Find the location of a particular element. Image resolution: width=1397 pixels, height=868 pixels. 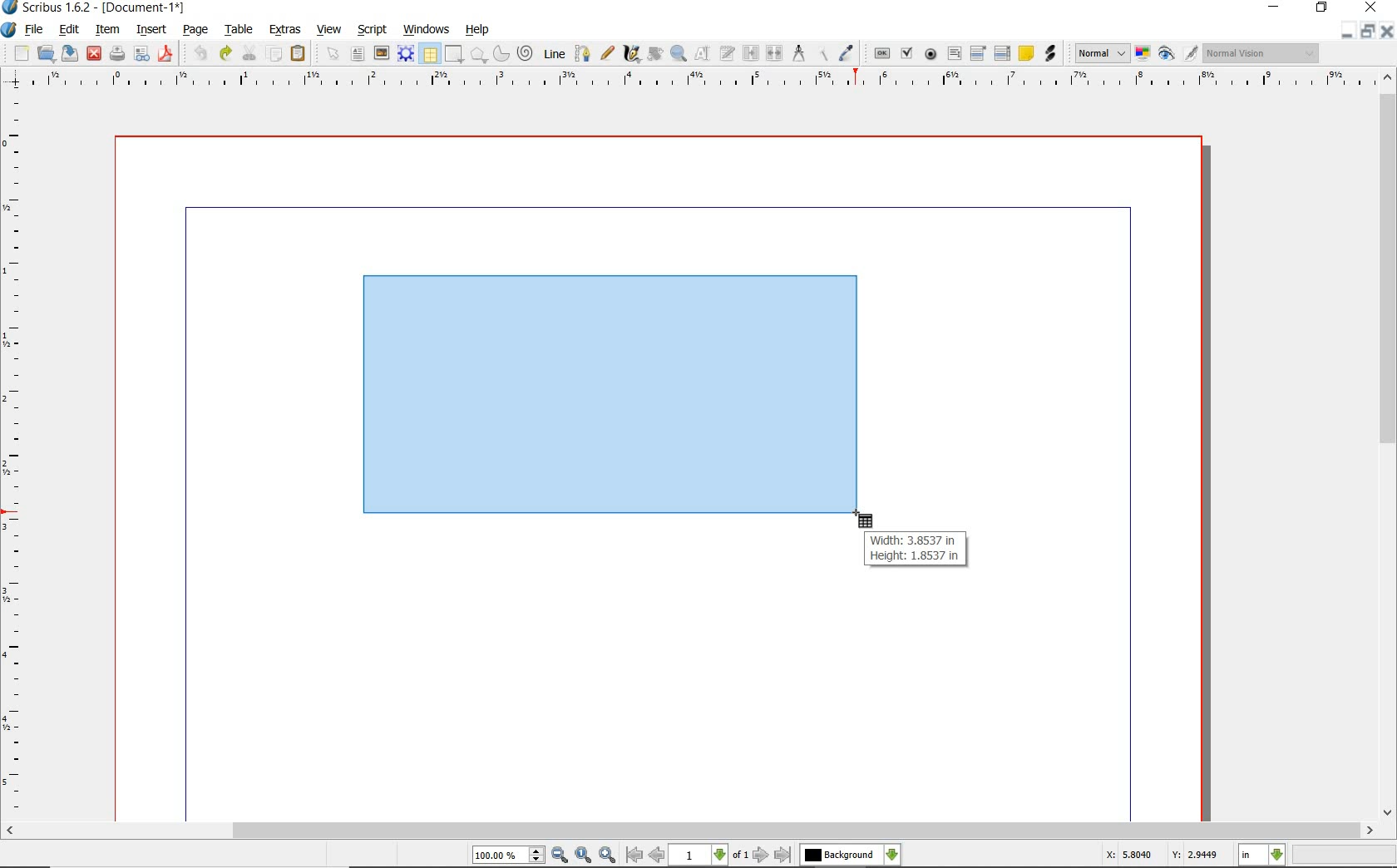

copy is located at coordinates (275, 55).